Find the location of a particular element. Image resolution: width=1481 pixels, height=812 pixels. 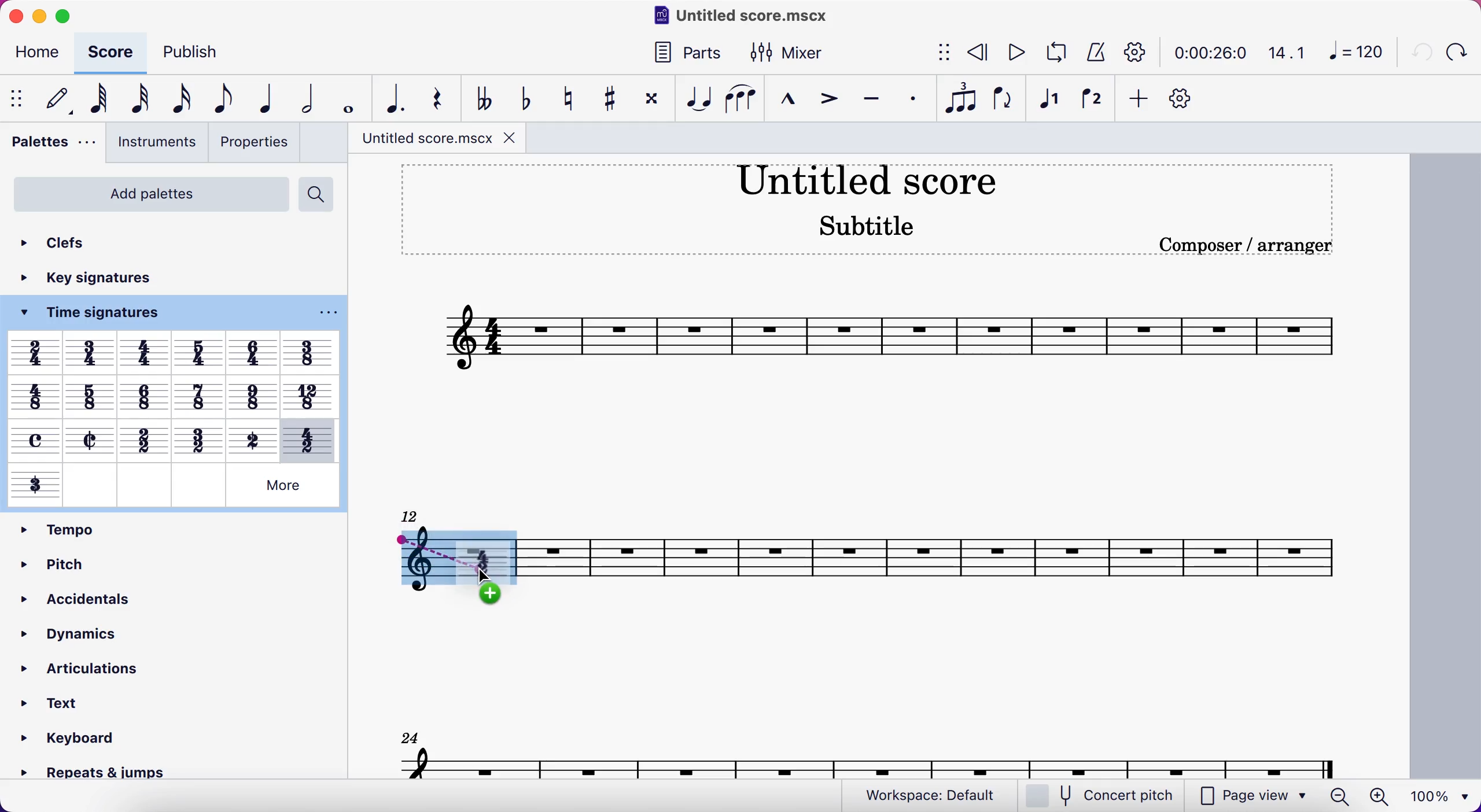

tenuto is located at coordinates (867, 98).